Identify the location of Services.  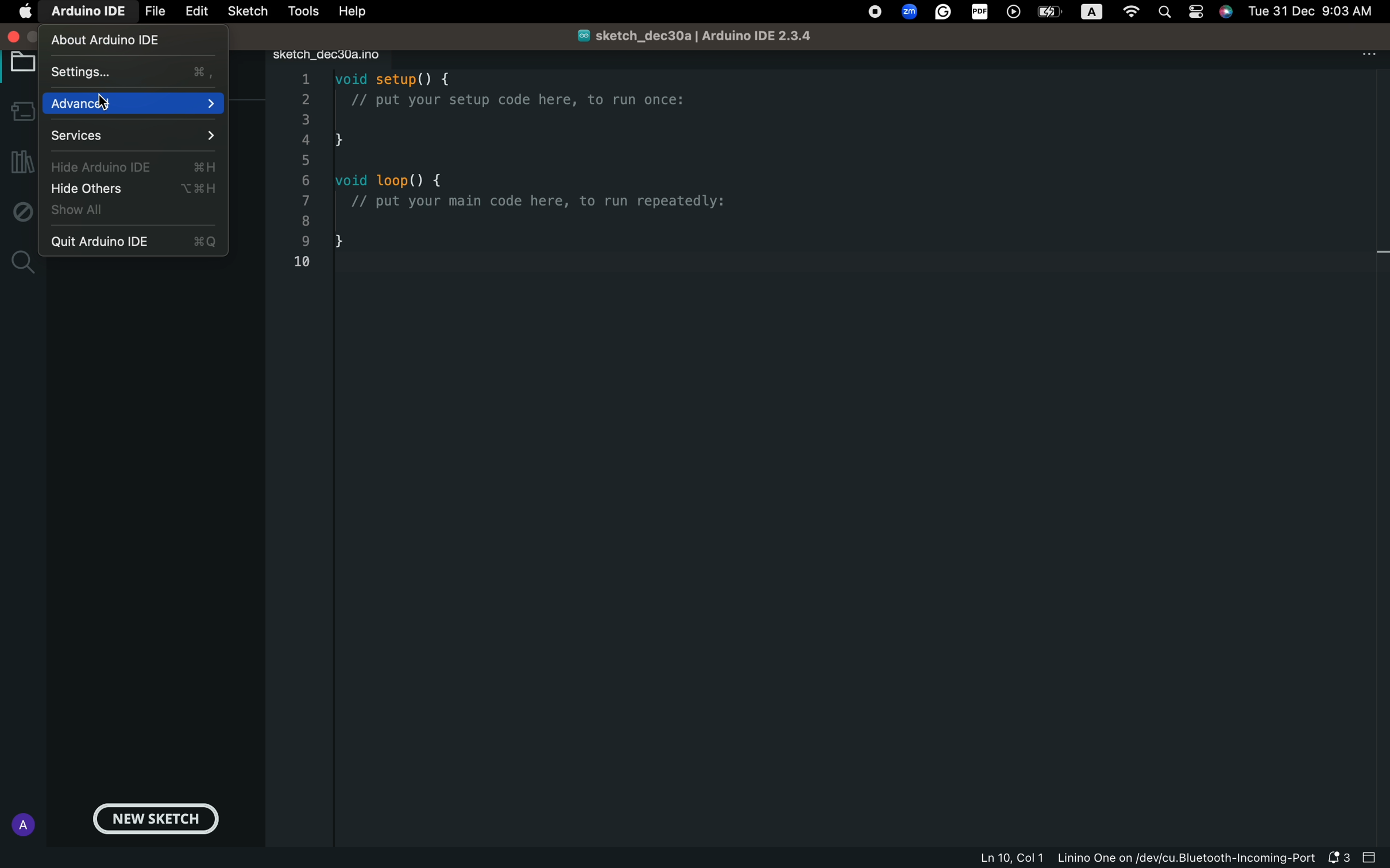
(134, 138).